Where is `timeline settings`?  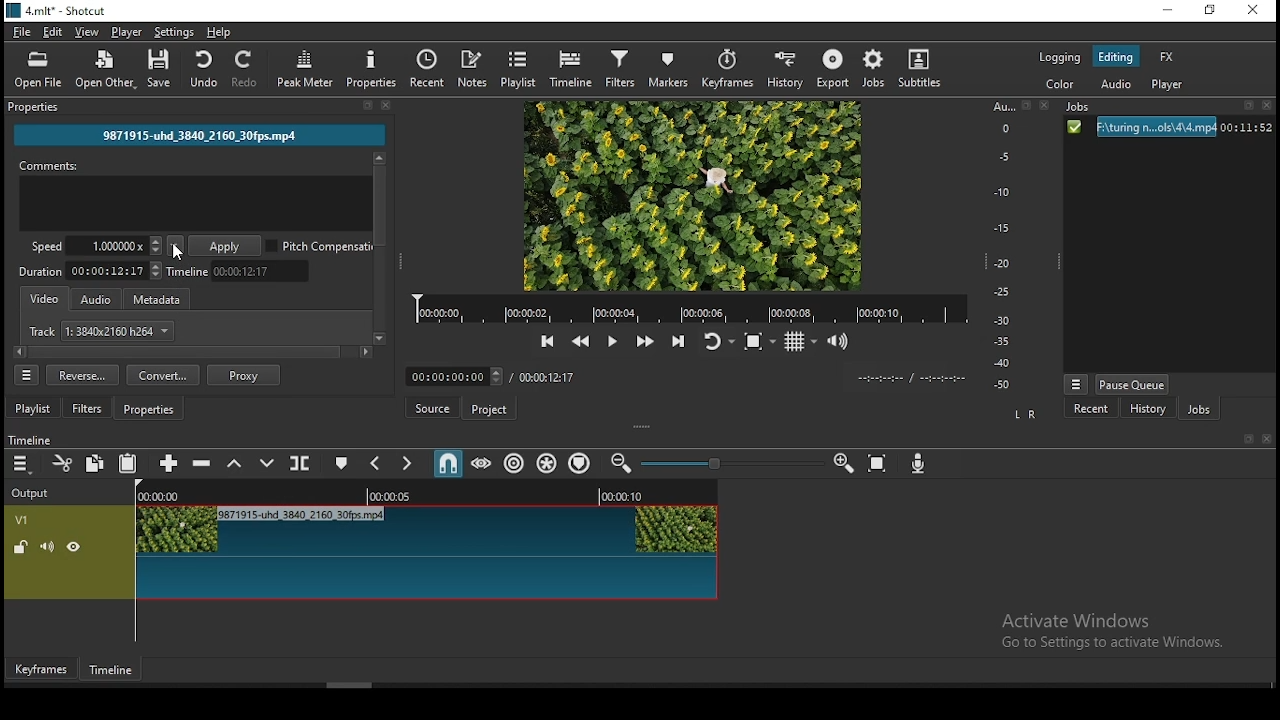
timeline settings is located at coordinates (23, 463).